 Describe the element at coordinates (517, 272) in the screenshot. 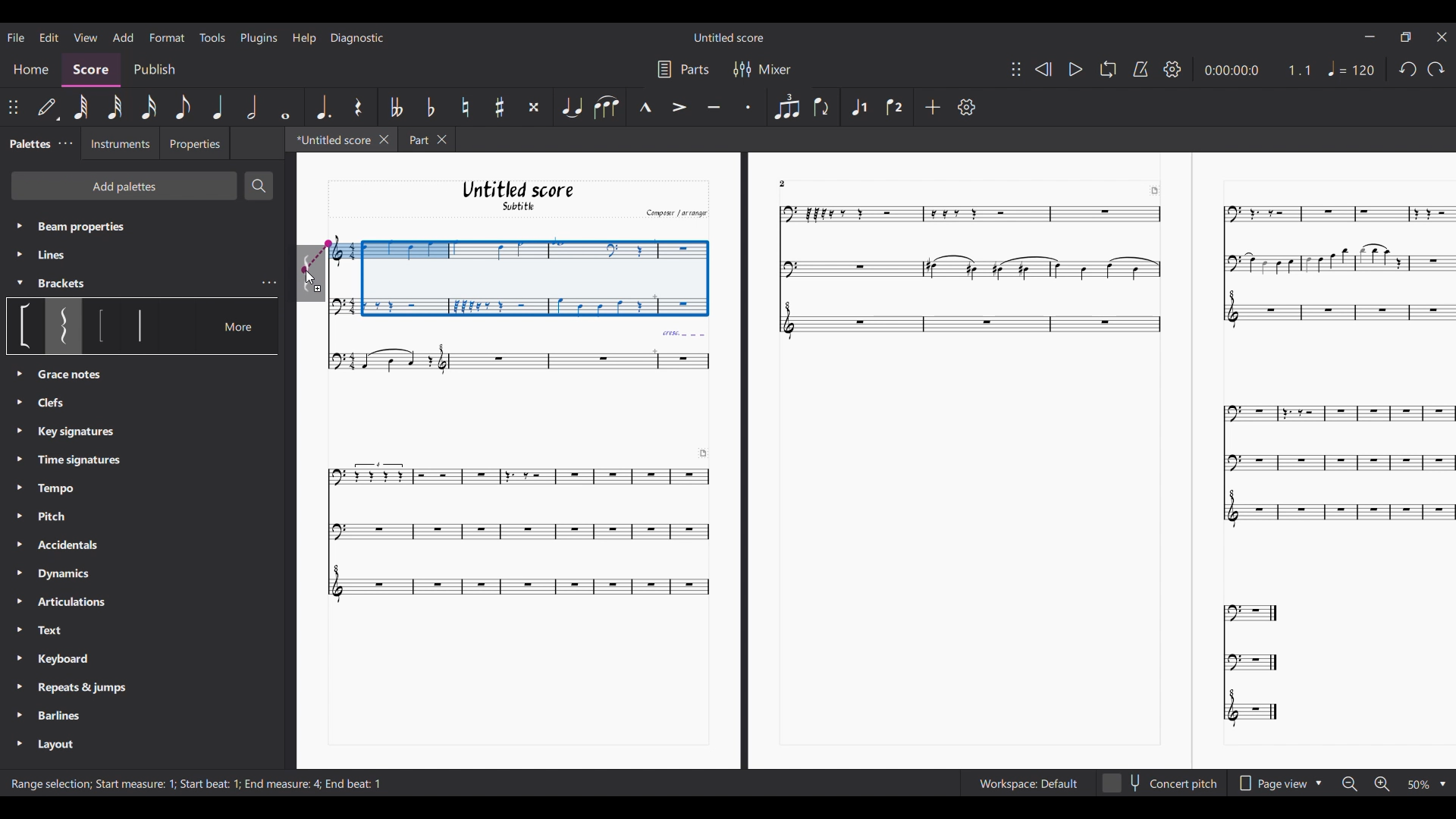

I see `Selection made by cursor` at that location.